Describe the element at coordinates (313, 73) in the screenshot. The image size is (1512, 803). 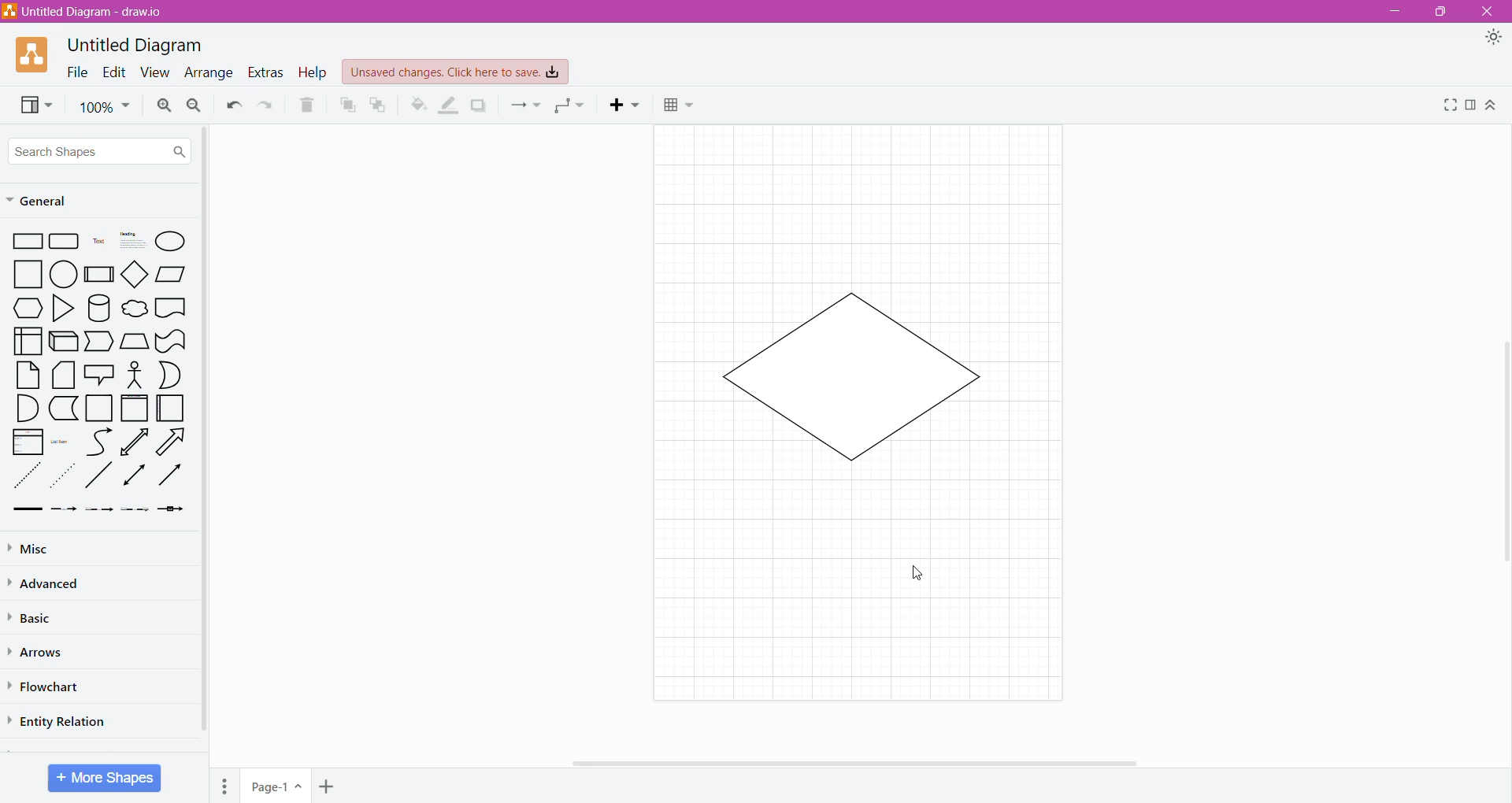
I see `Help` at that location.